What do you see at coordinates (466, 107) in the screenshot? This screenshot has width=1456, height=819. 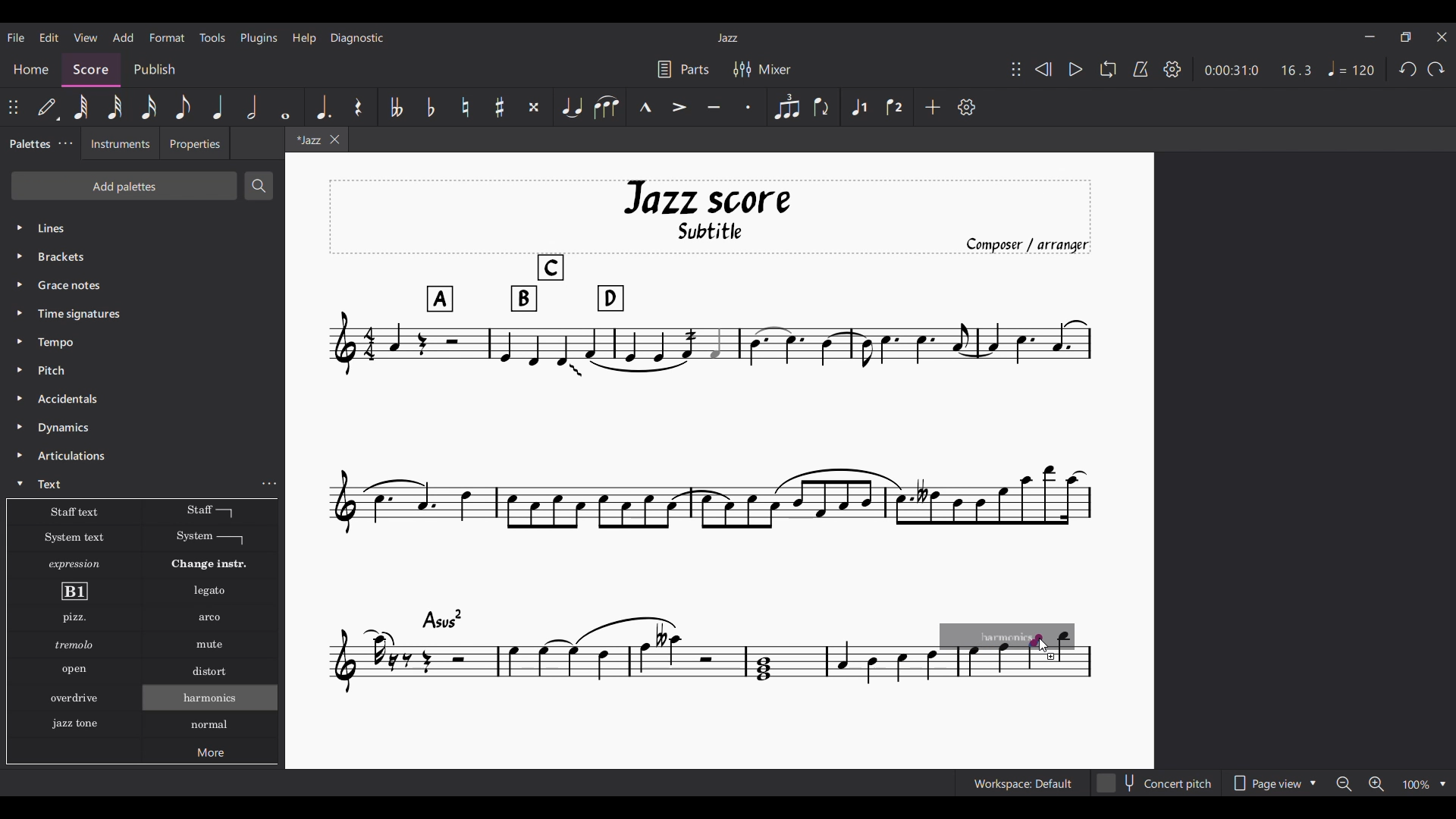 I see `Toggle natural` at bounding box center [466, 107].